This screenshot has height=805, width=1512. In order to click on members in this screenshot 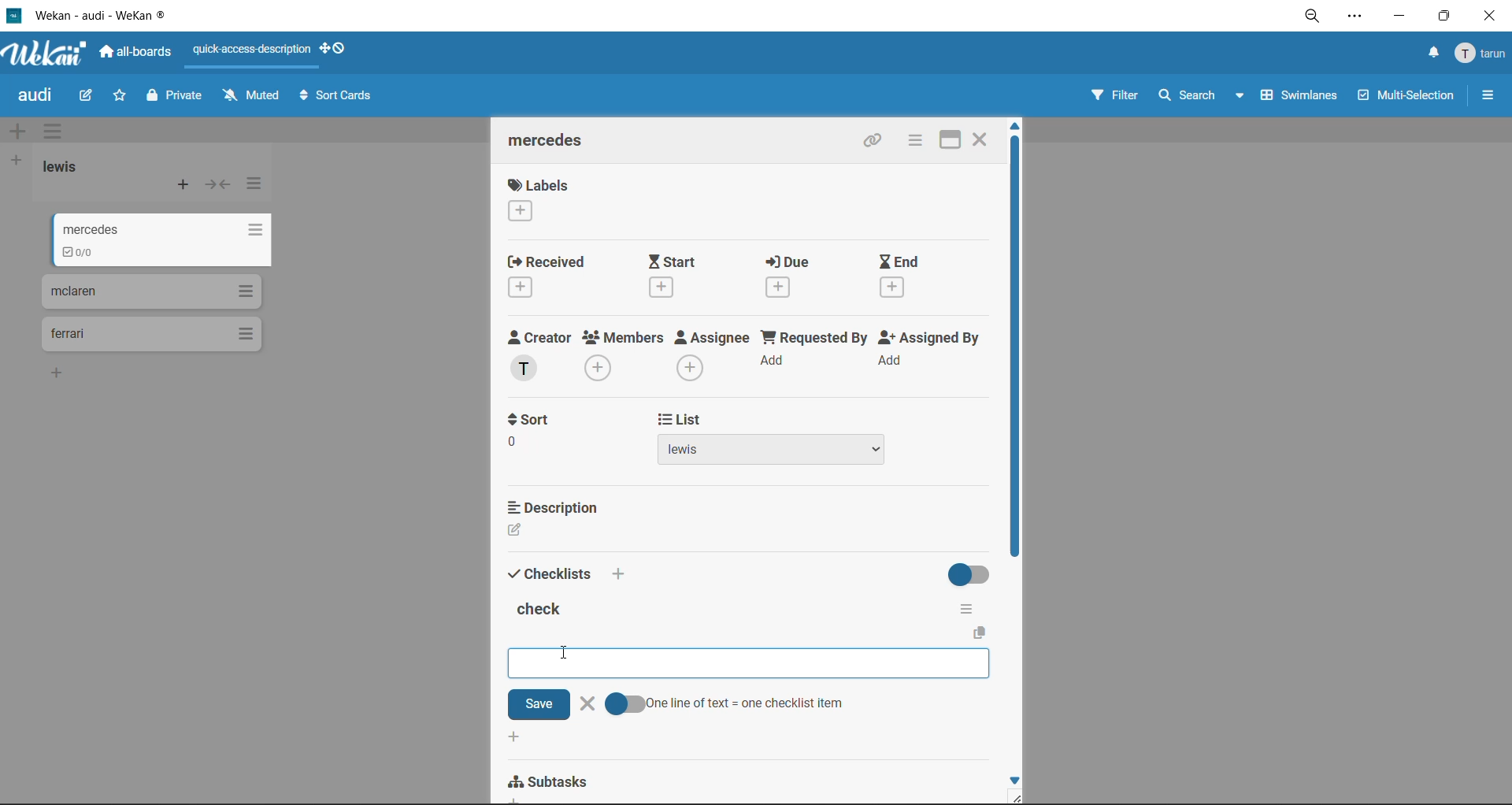, I will do `click(624, 355)`.